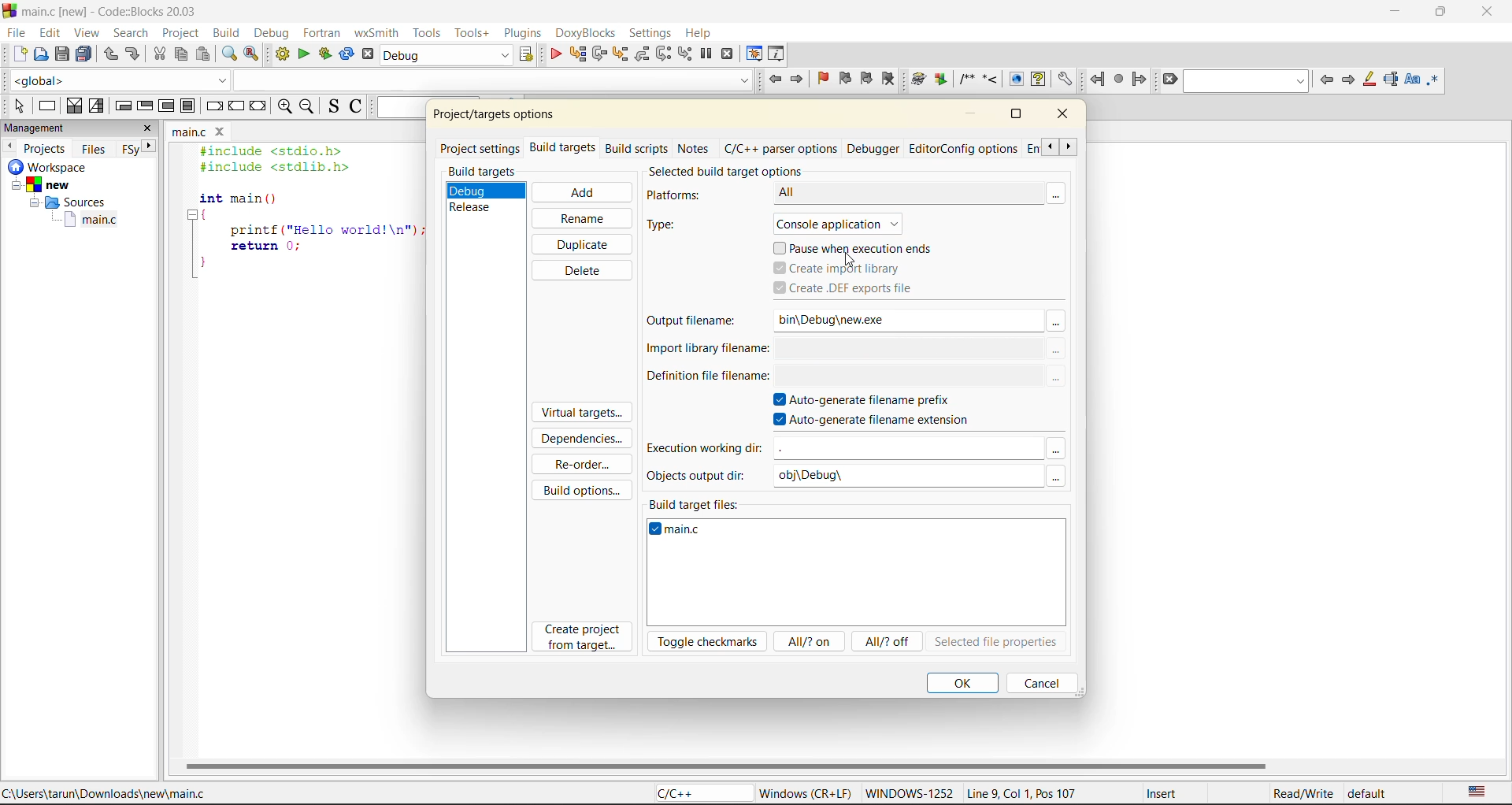 This screenshot has height=805, width=1512. I want to click on jump forward, so click(1139, 79).